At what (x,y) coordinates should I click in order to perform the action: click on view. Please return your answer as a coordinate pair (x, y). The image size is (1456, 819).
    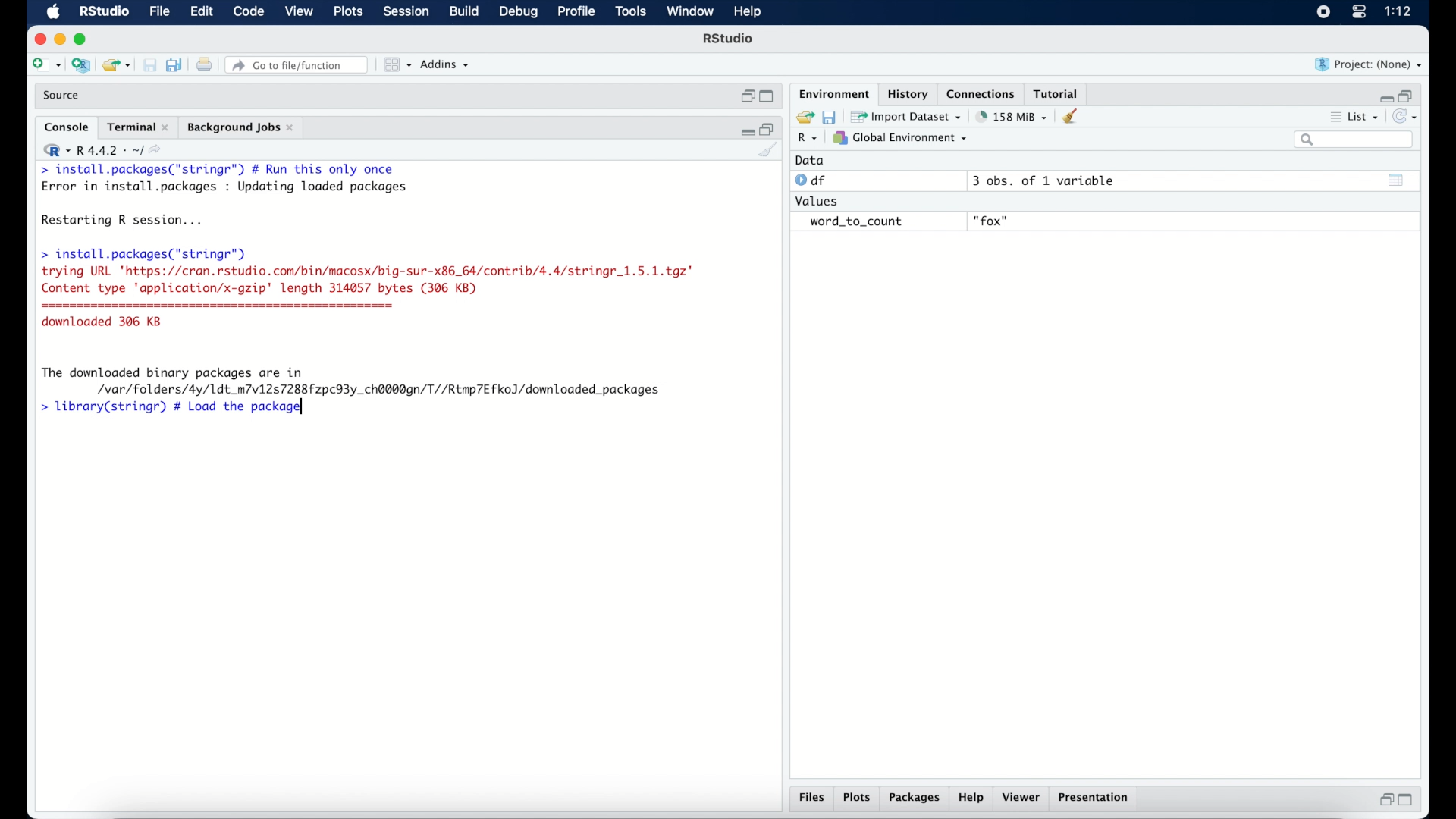
    Looking at the image, I should click on (299, 12).